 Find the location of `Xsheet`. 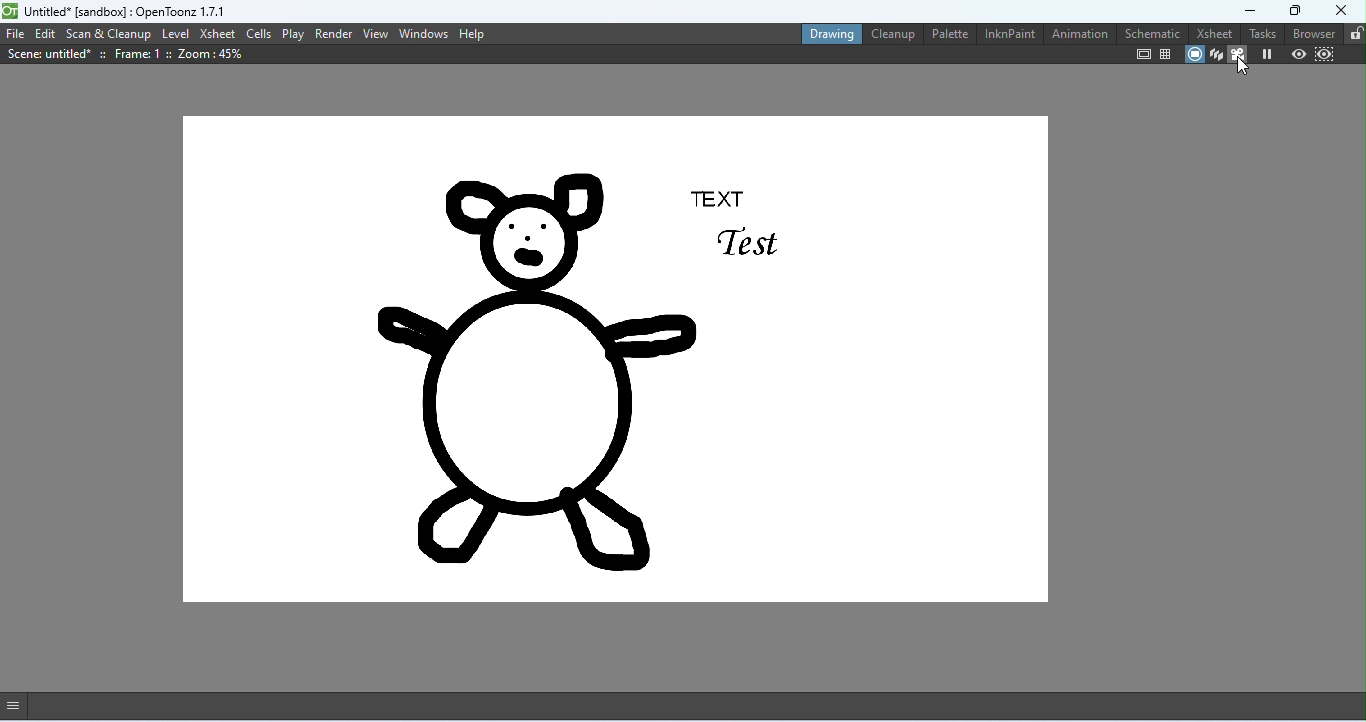

Xsheet is located at coordinates (217, 34).